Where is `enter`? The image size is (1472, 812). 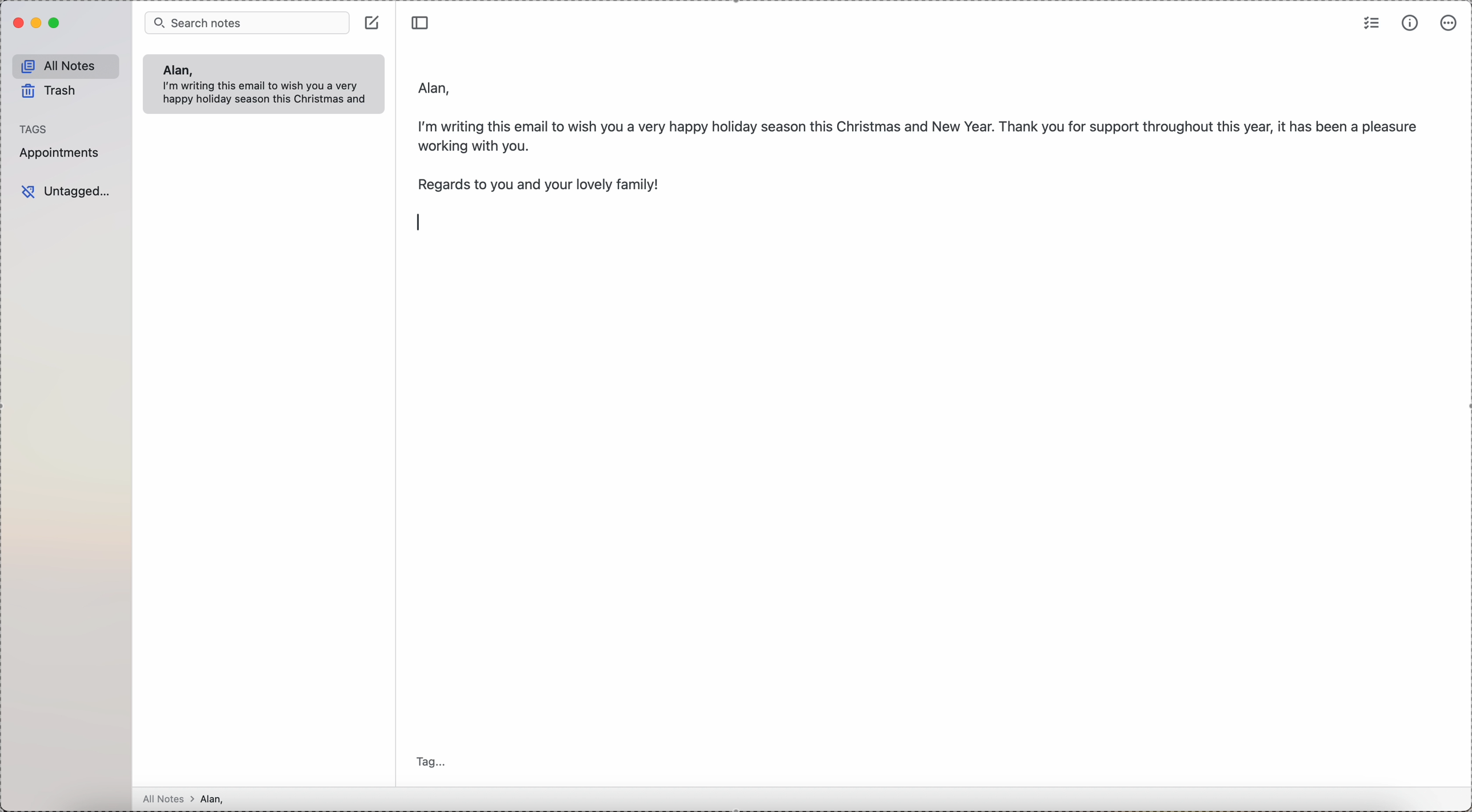
enter is located at coordinates (415, 219).